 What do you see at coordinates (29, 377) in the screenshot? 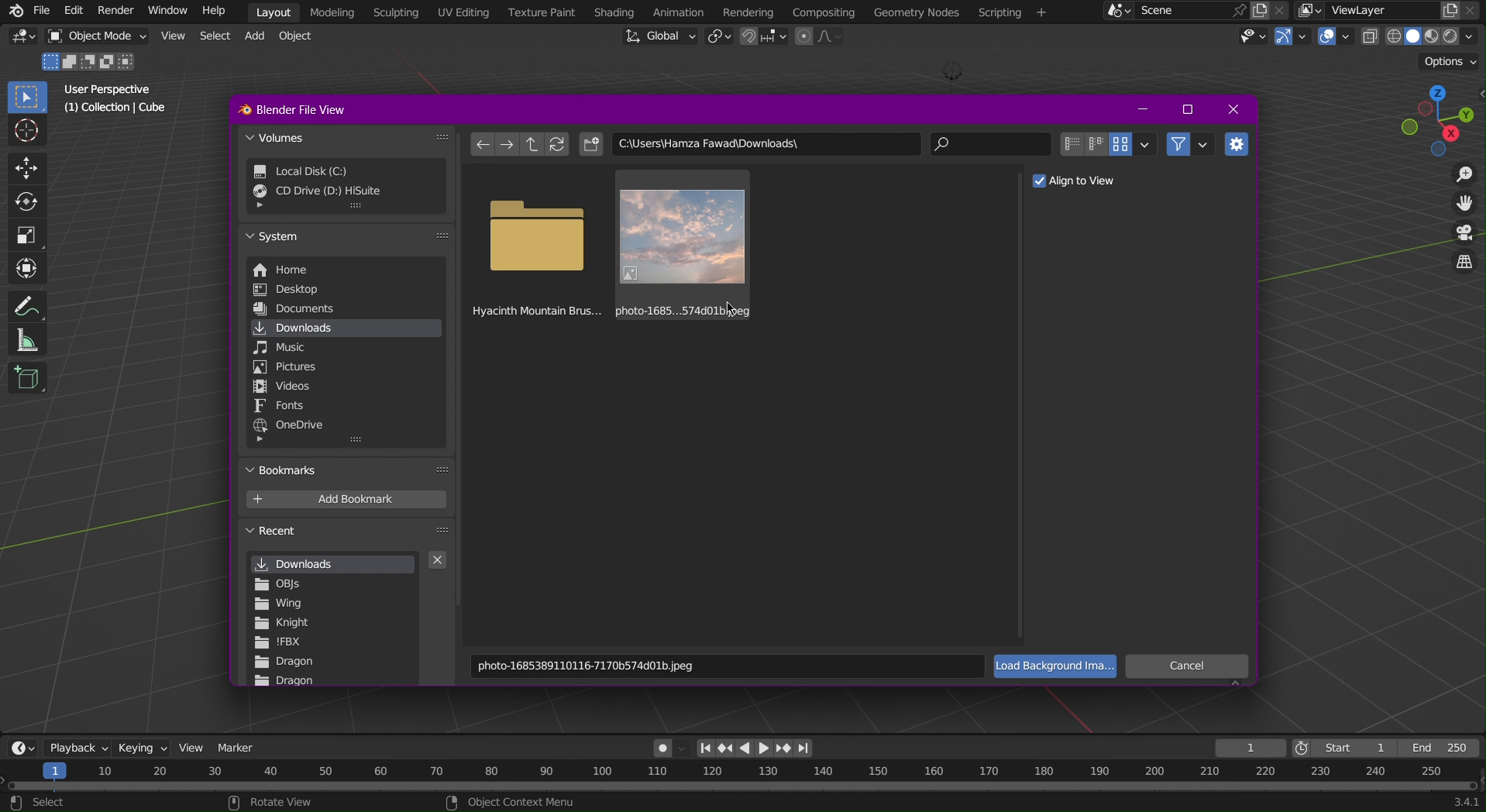
I see `Cube` at bounding box center [29, 377].